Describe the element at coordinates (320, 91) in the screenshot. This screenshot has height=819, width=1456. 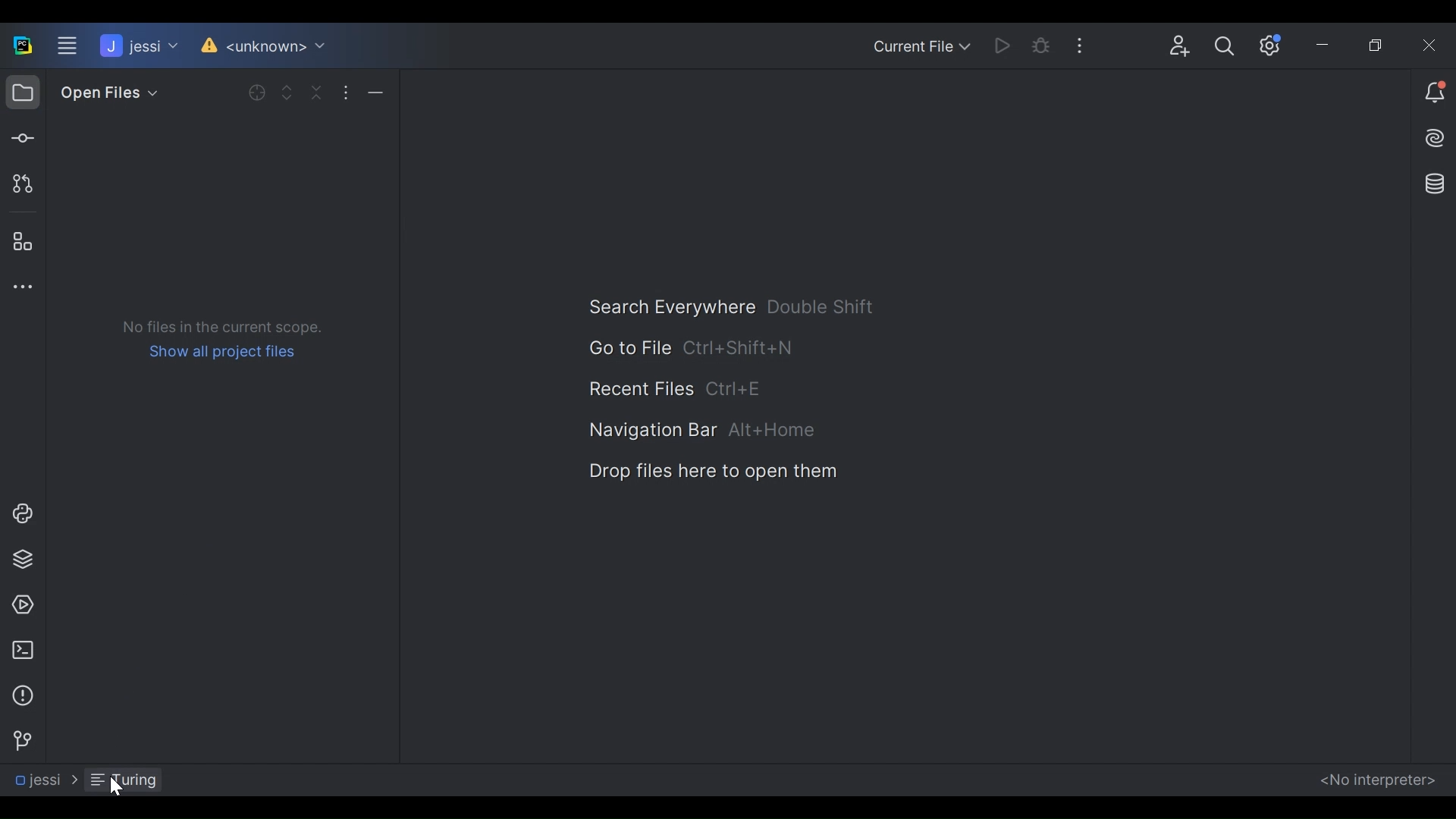
I see `Collapse all` at that location.